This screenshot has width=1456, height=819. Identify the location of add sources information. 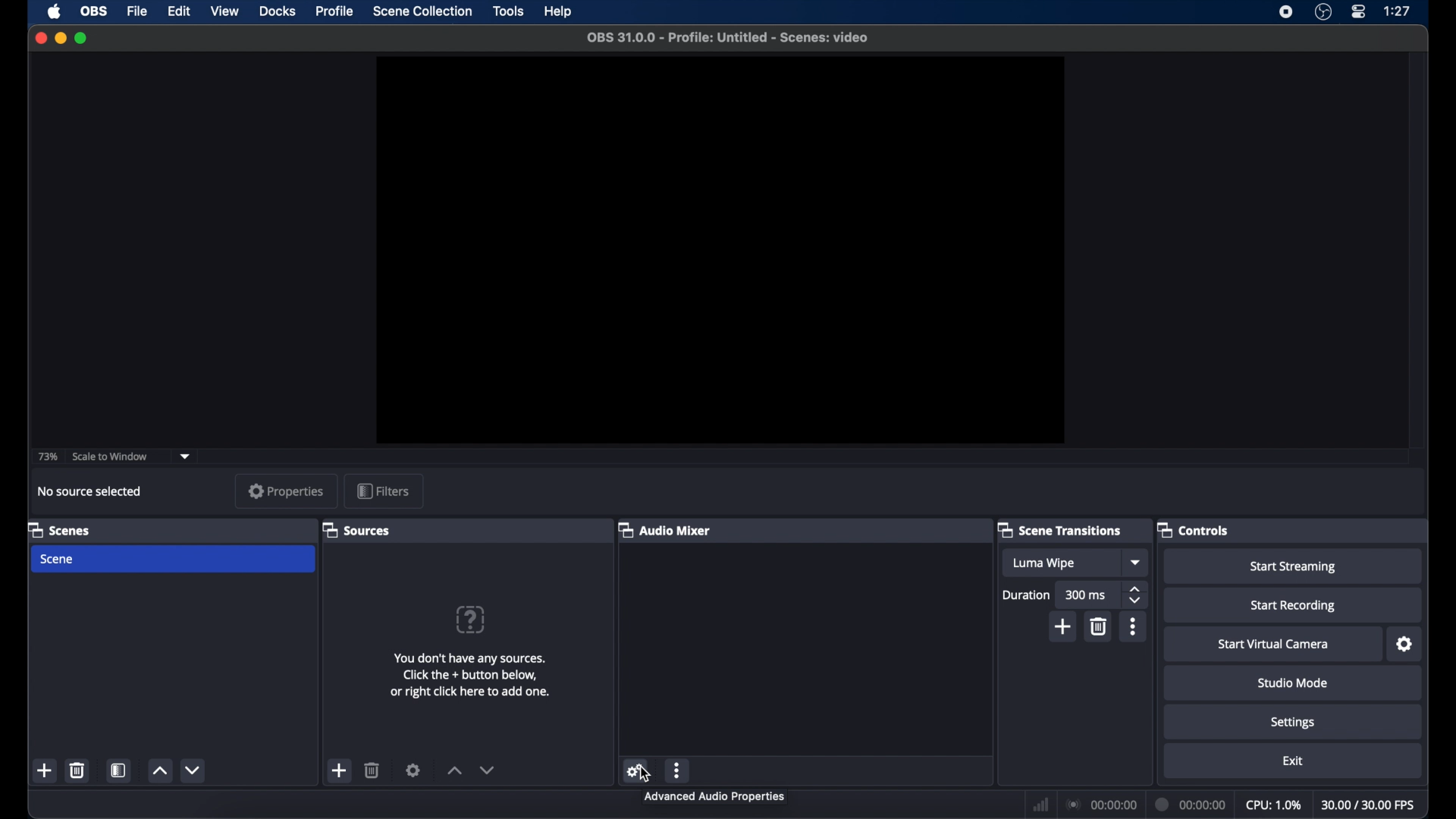
(472, 675).